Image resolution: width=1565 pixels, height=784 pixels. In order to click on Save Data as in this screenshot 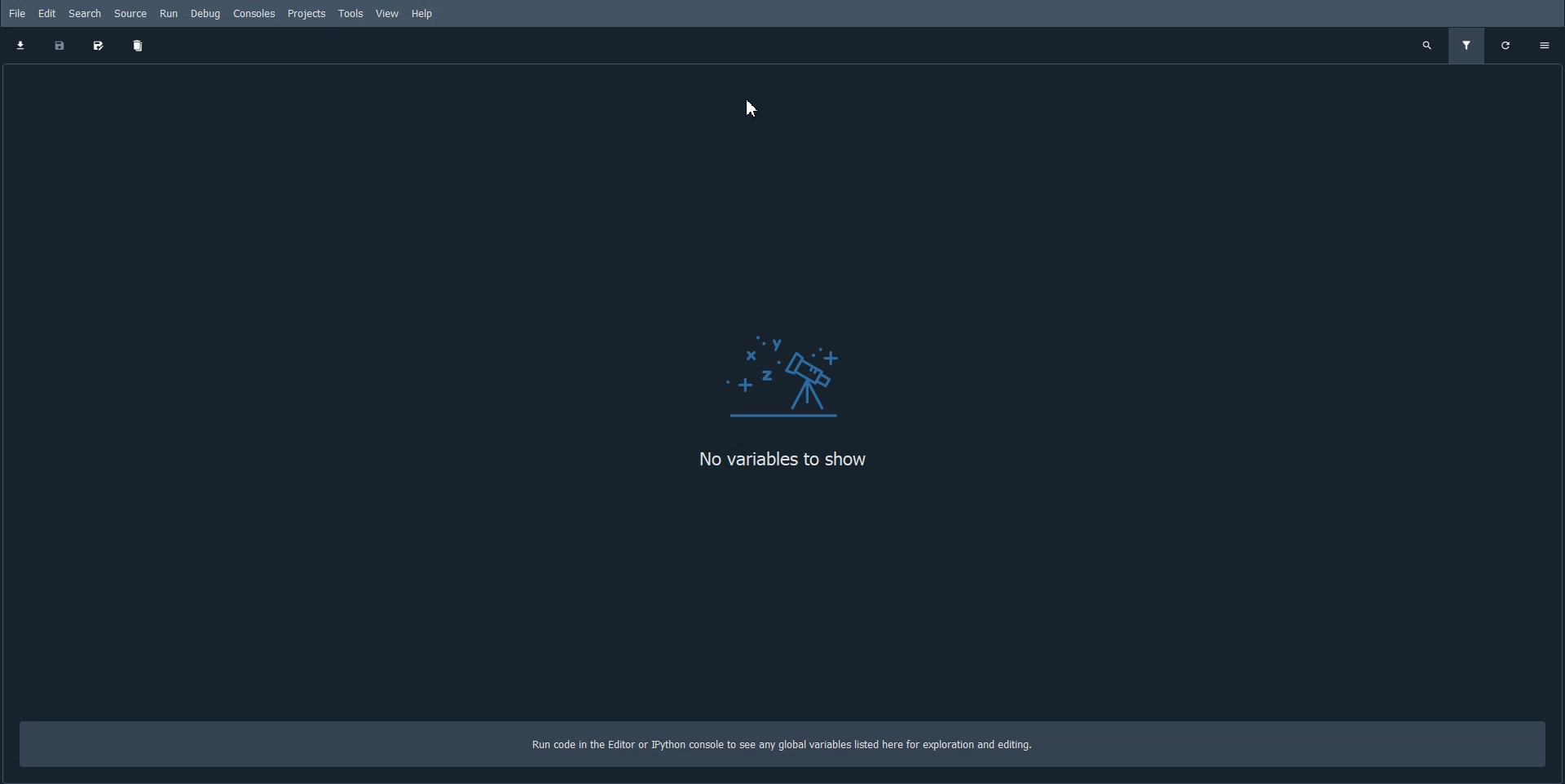, I will do `click(96, 46)`.